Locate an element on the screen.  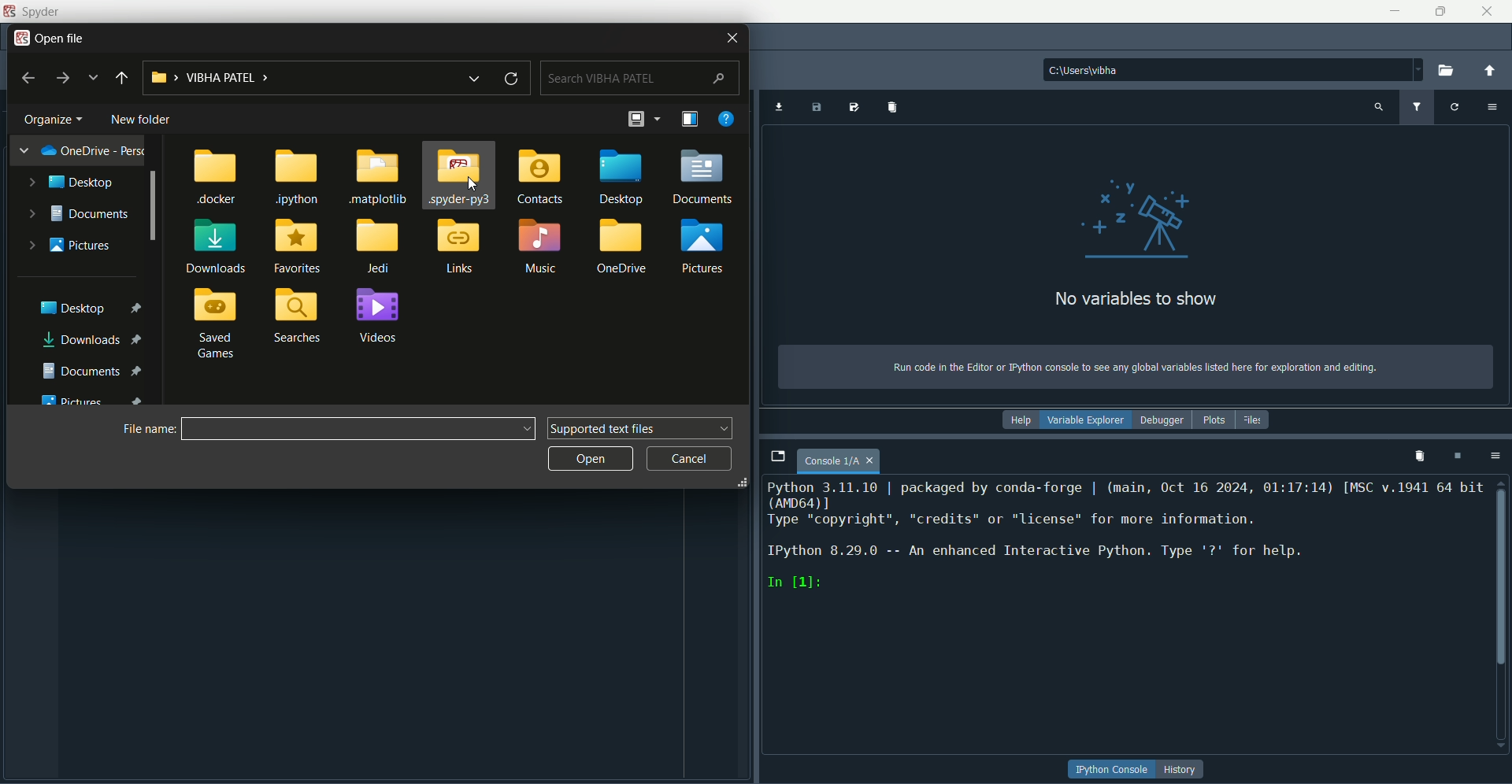
save data is located at coordinates (818, 108).